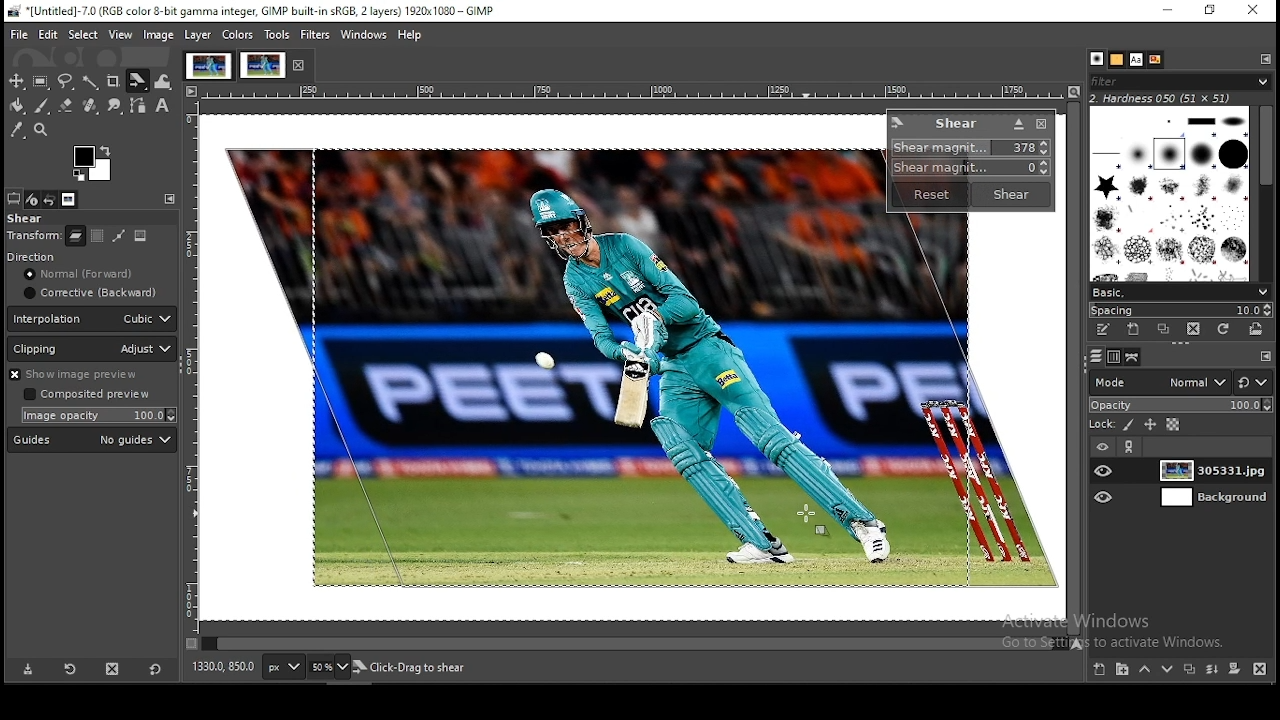 This screenshot has height=720, width=1280. Describe the element at coordinates (1266, 359) in the screenshot. I see `configure this tab` at that location.